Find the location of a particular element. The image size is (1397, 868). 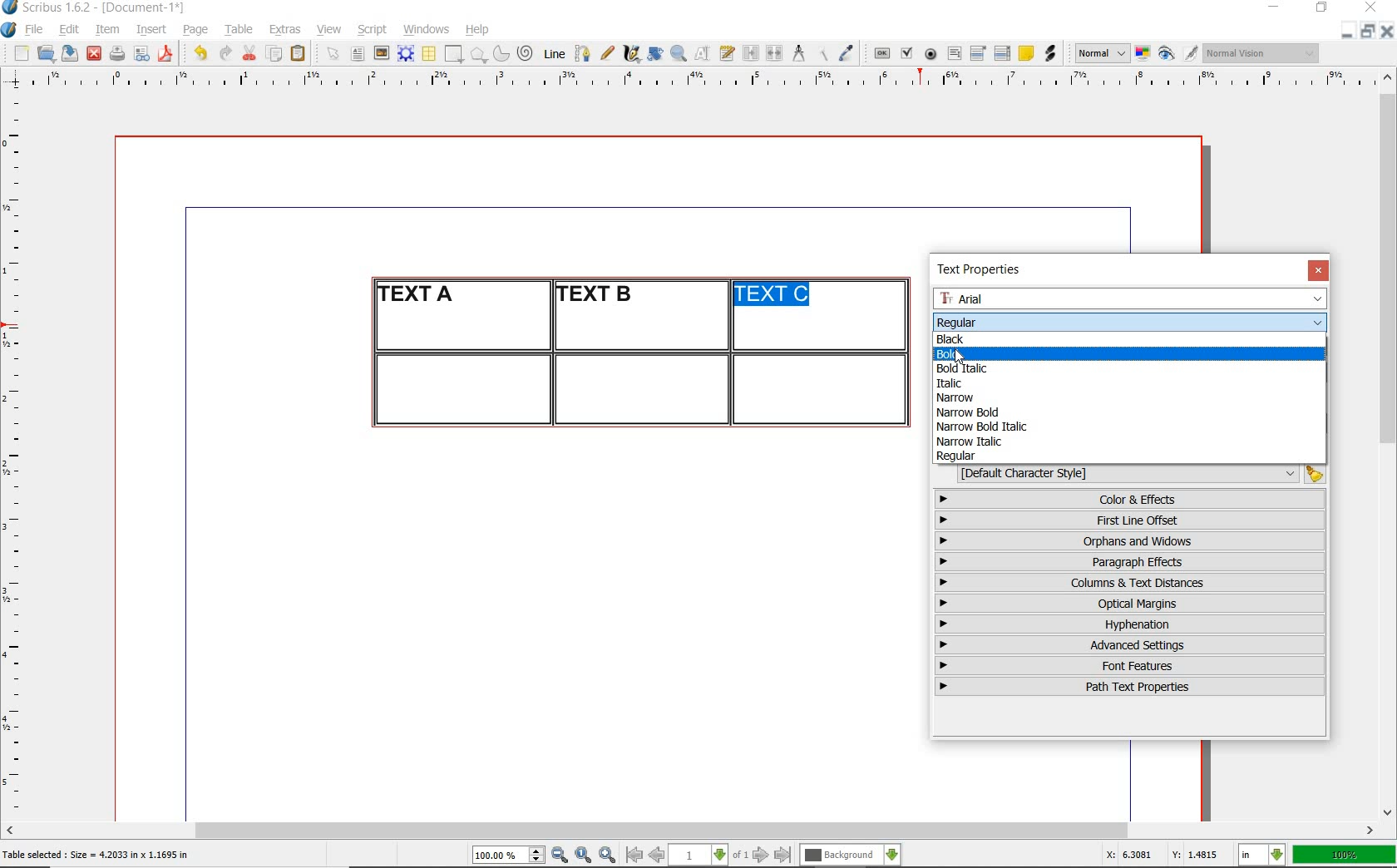

black is located at coordinates (952, 338).